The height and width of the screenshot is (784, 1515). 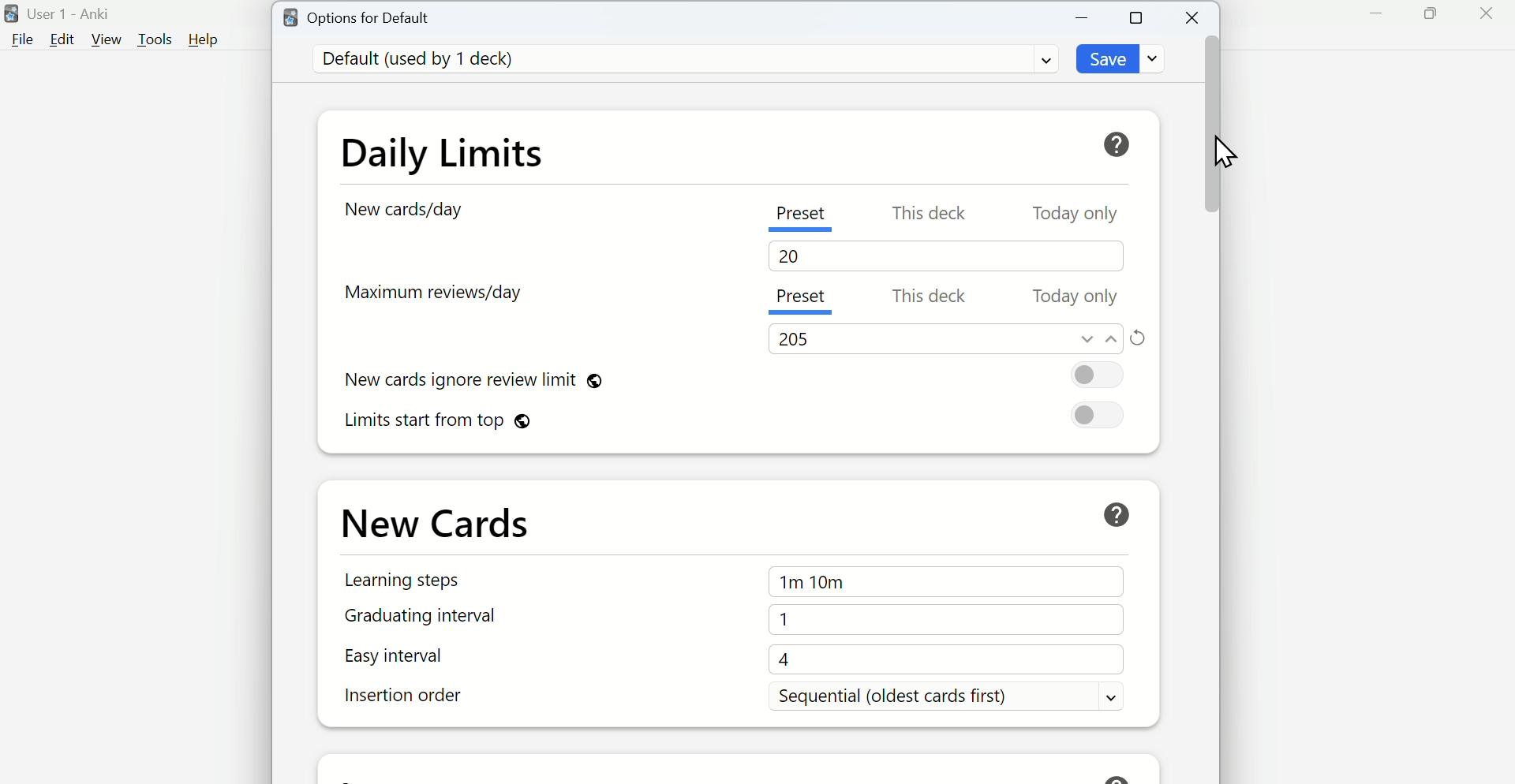 What do you see at coordinates (395, 655) in the screenshot?
I see `Easy interval` at bounding box center [395, 655].